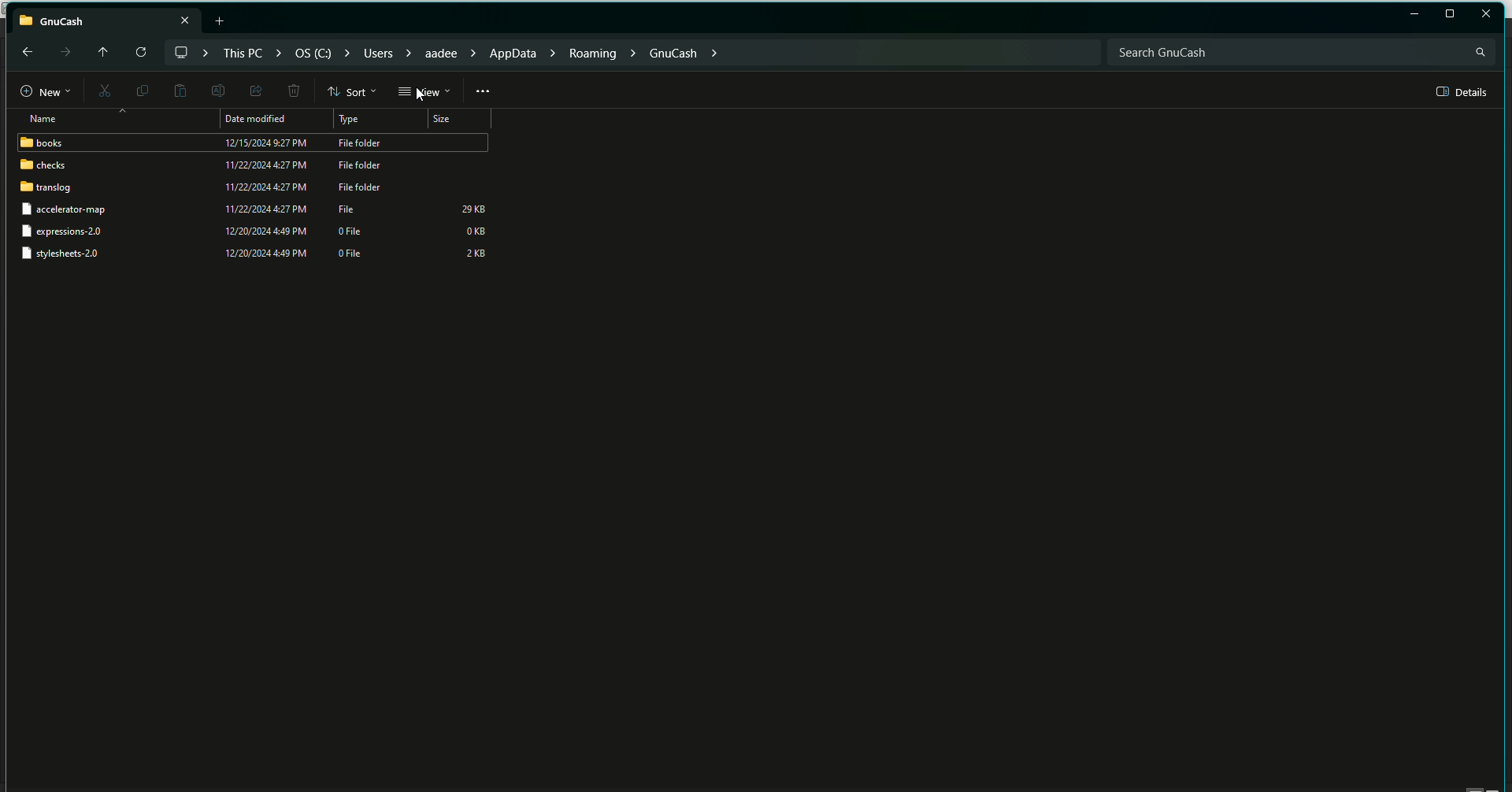 The width and height of the screenshot is (1512, 792). What do you see at coordinates (216, 90) in the screenshot?
I see `Edit` at bounding box center [216, 90].